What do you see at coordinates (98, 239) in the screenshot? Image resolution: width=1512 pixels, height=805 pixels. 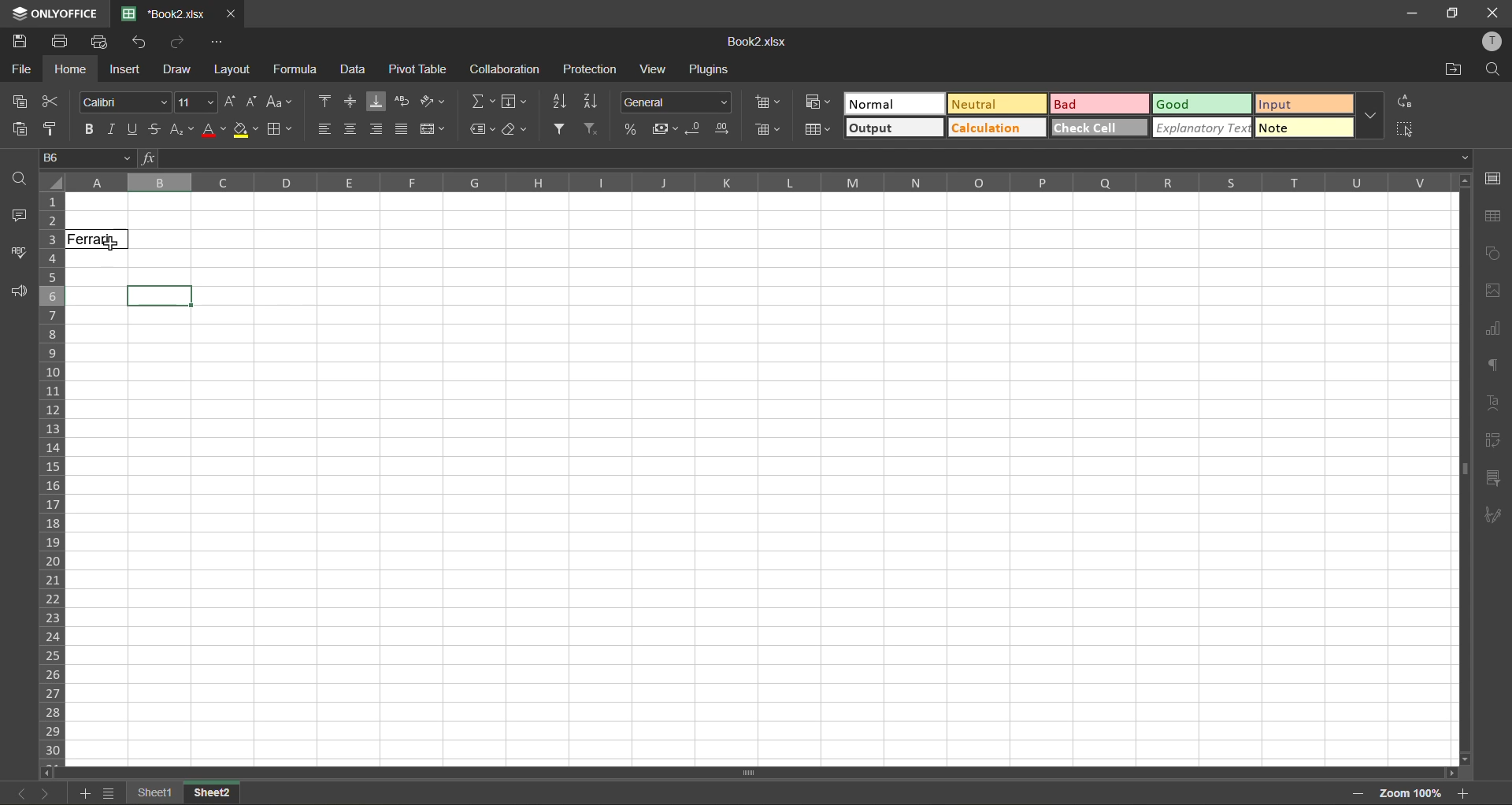 I see `Ferrari` at bounding box center [98, 239].